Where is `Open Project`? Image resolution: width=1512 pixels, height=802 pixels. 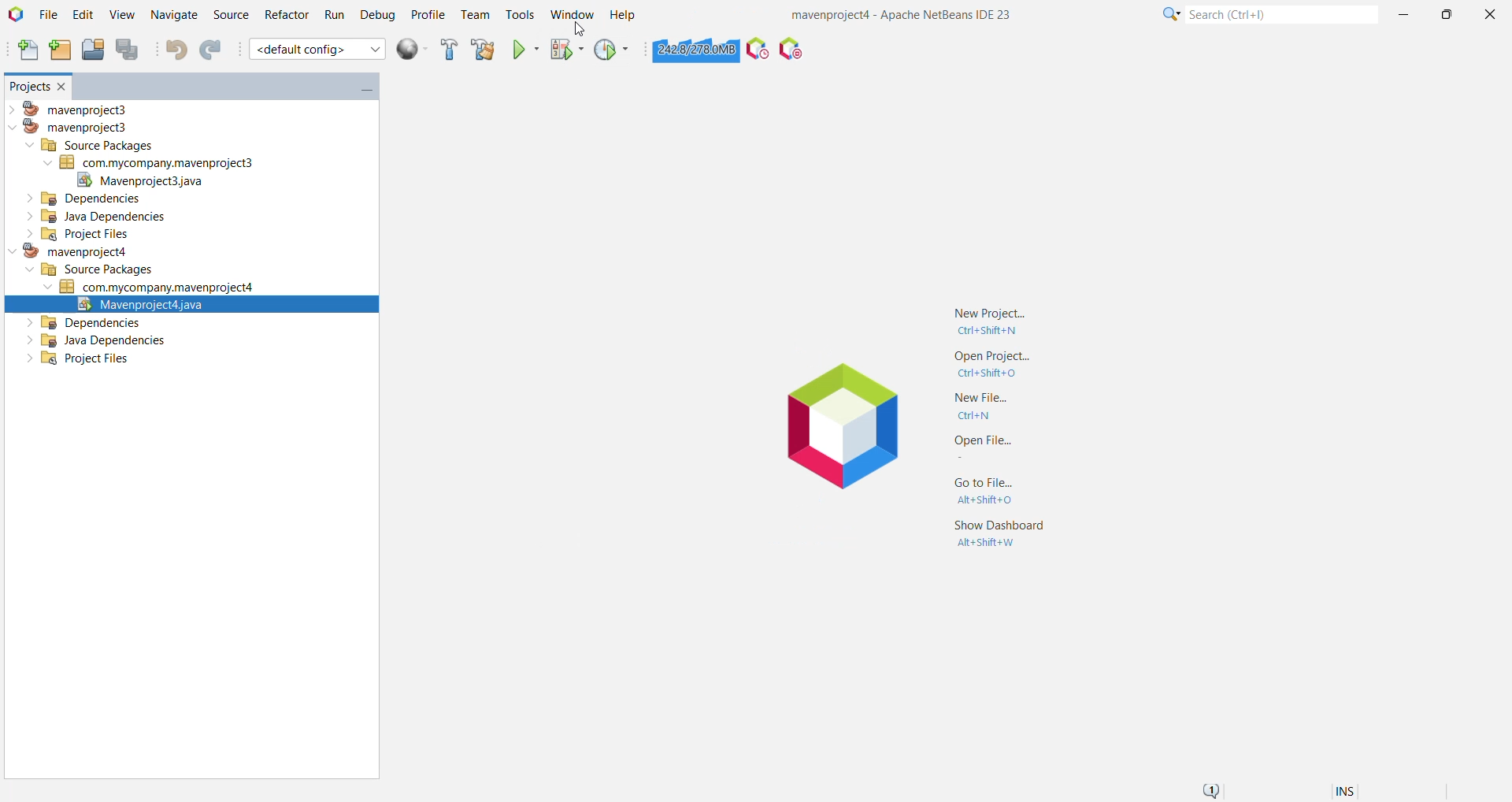
Open Project is located at coordinates (91, 50).